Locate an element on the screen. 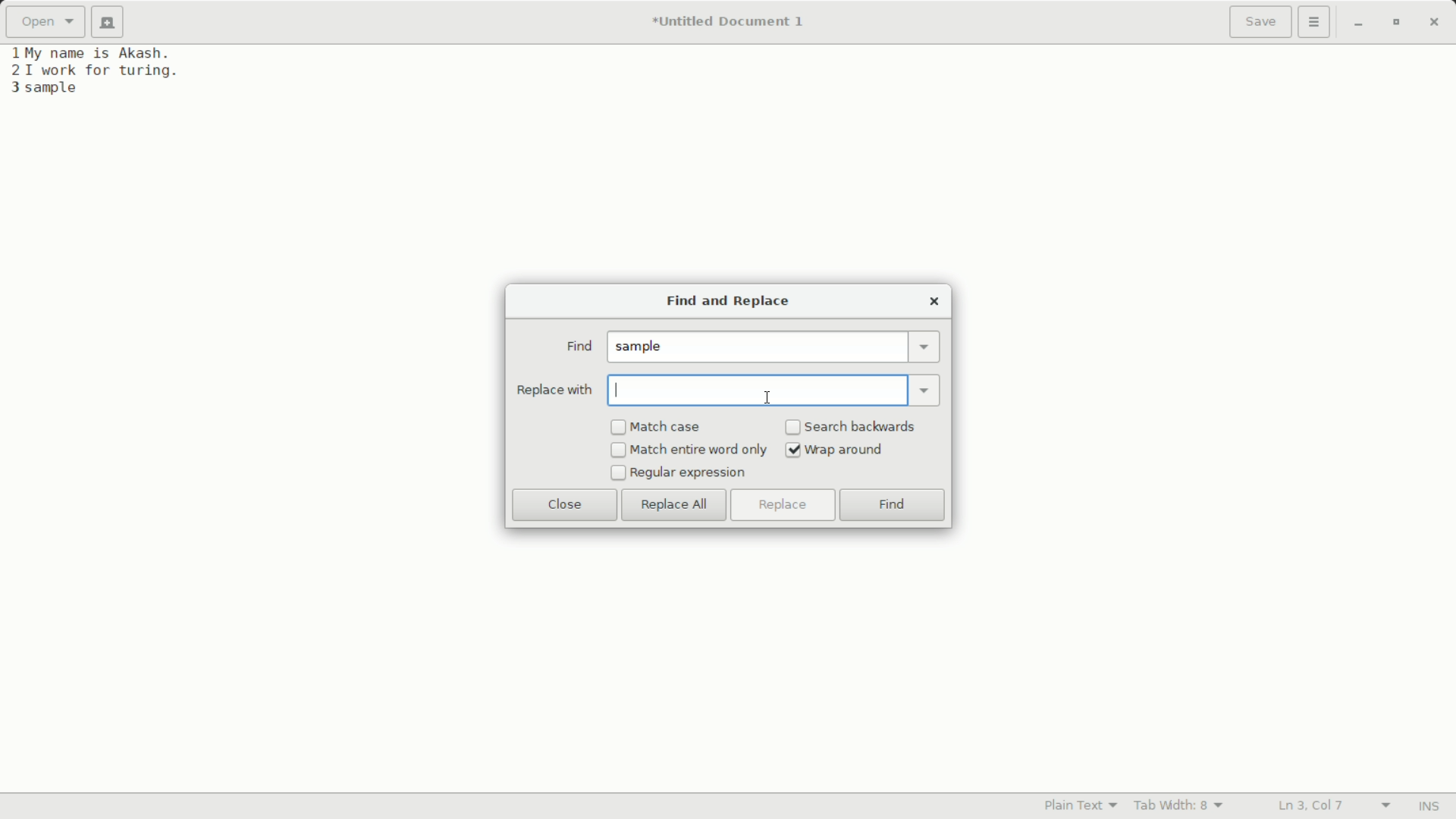  lines and columns is located at coordinates (1332, 806).